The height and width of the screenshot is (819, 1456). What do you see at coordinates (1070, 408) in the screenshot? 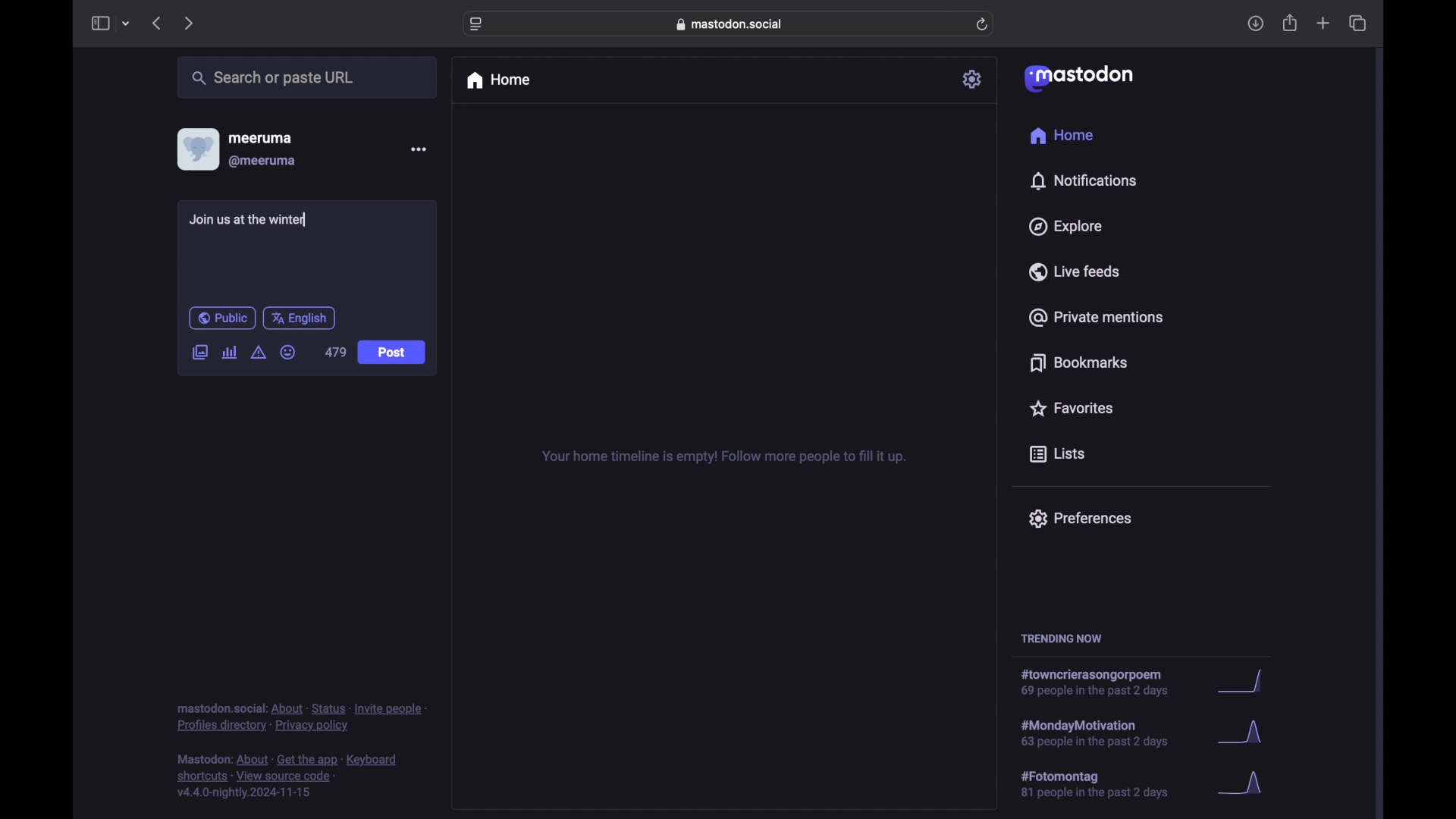
I see `favorites` at bounding box center [1070, 408].